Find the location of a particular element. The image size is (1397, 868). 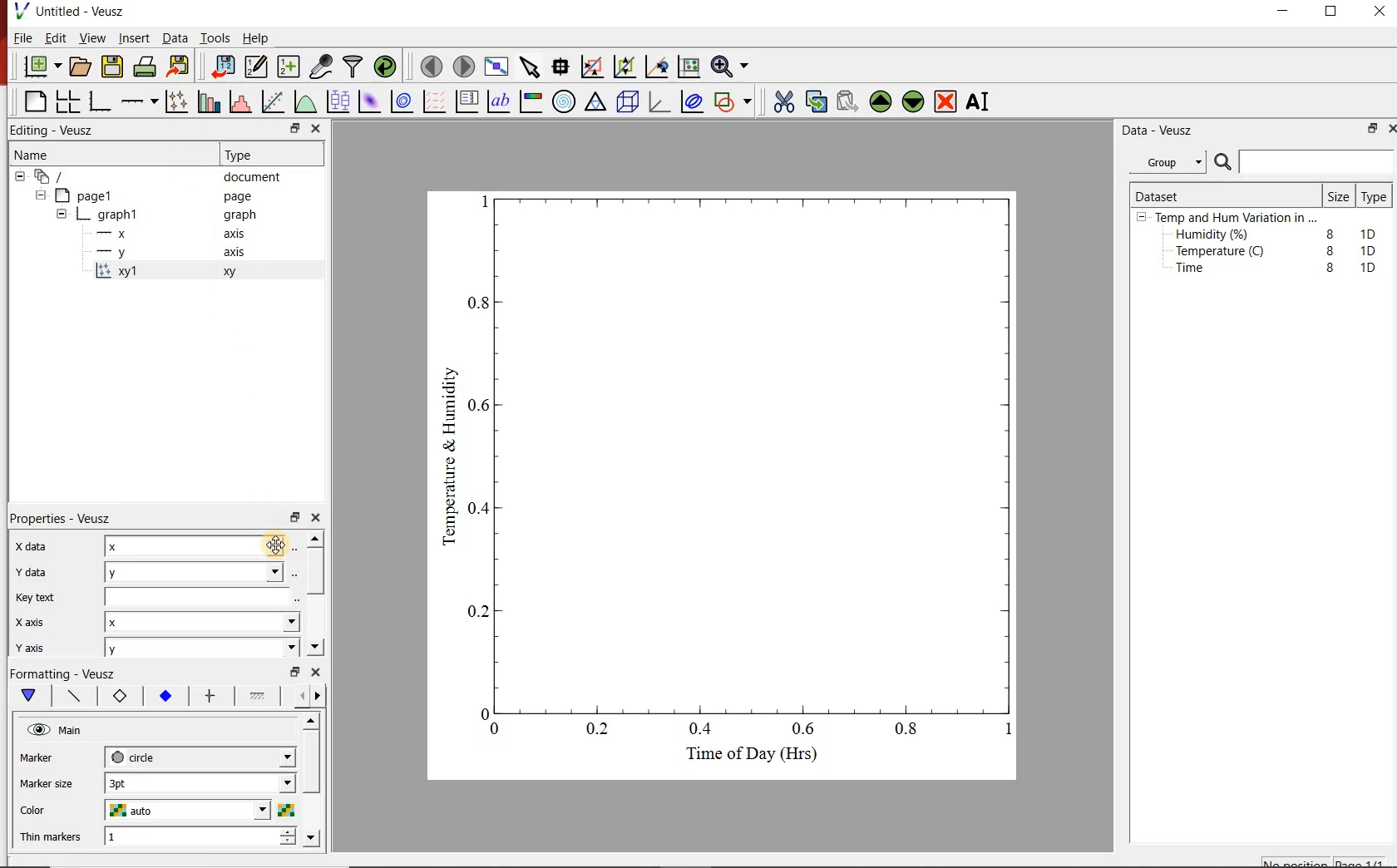

8 is located at coordinates (1330, 268).